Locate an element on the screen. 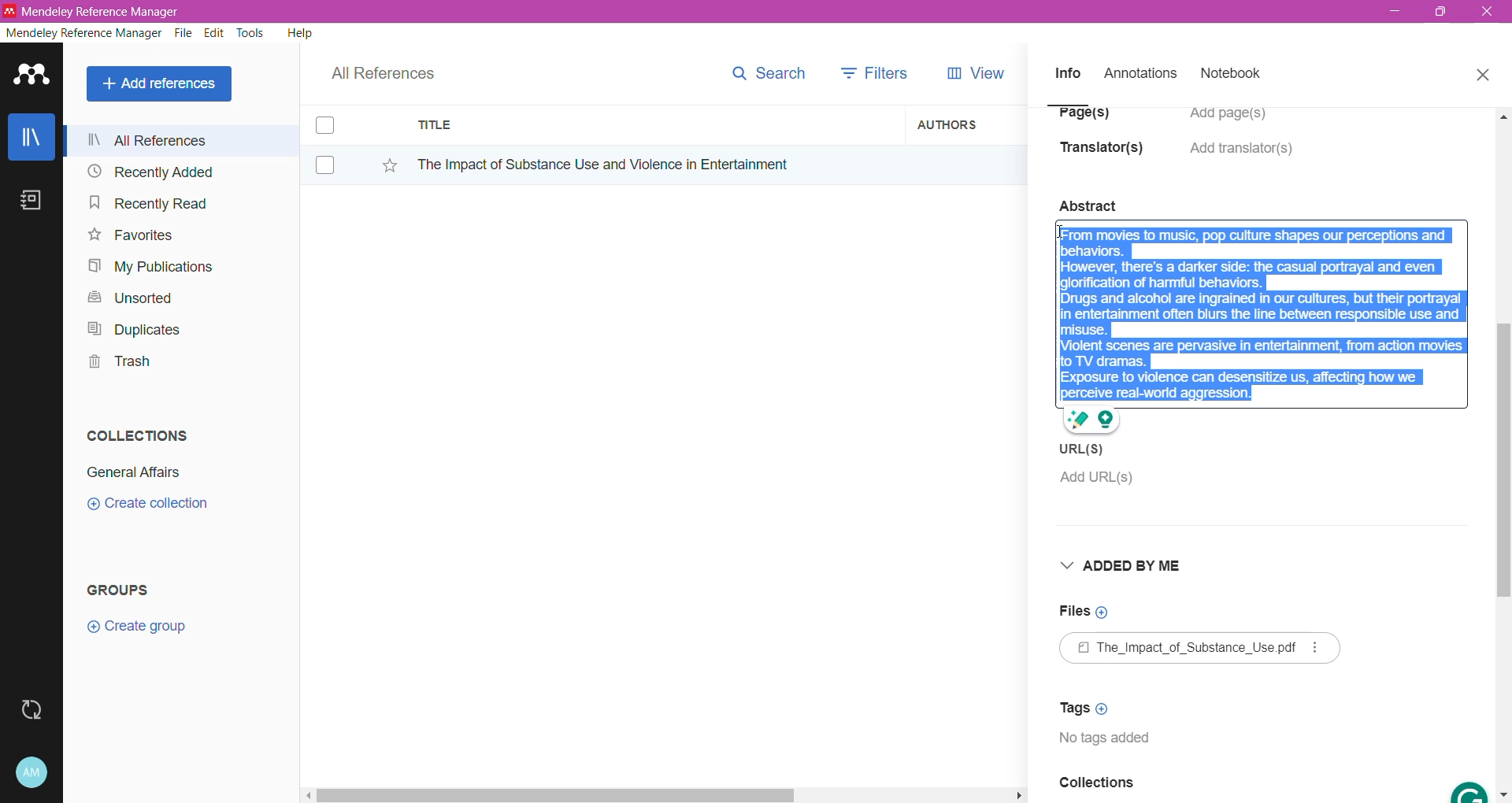 This screenshot has width=1512, height=803. Add References is located at coordinates (162, 83).